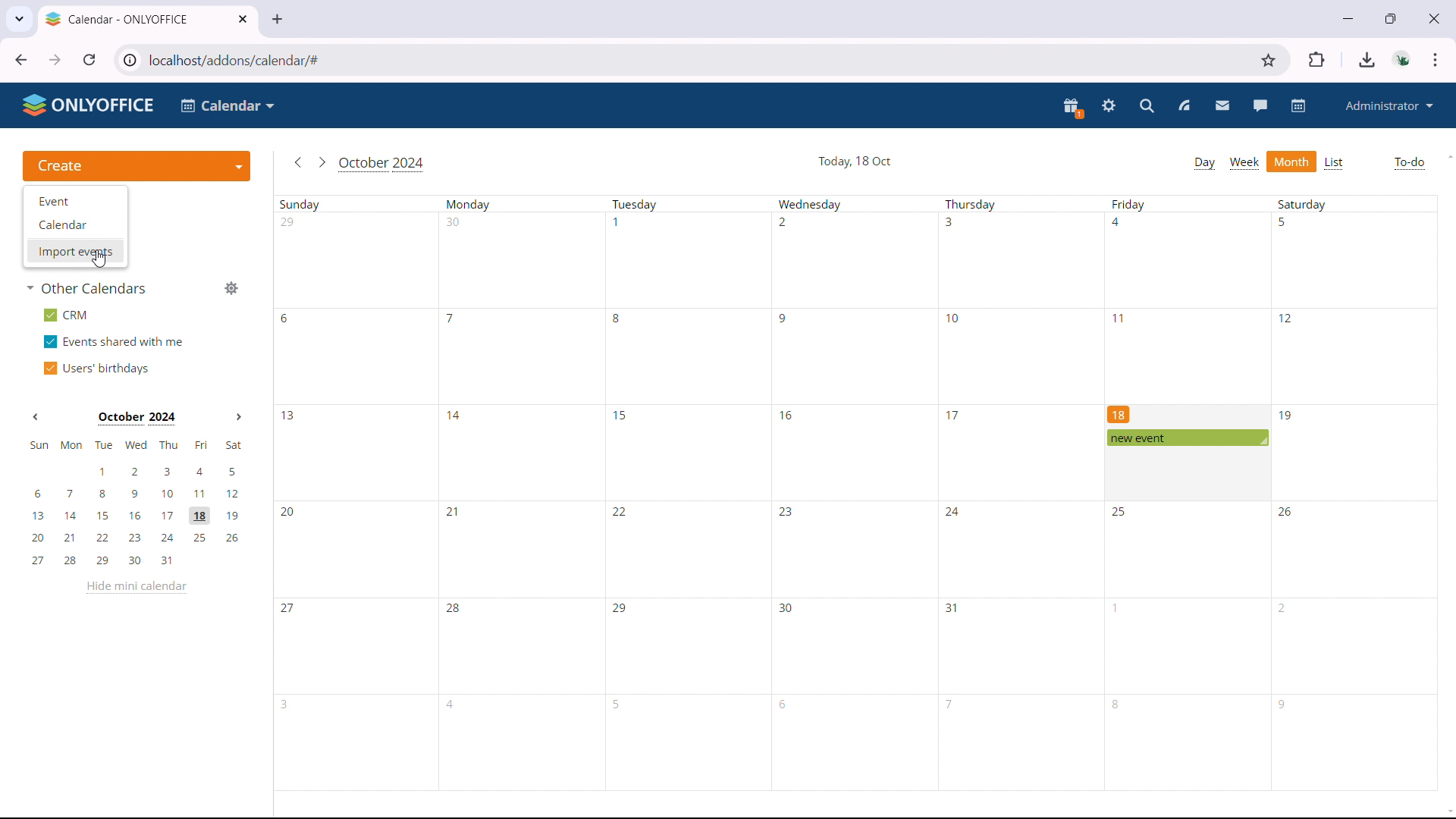 This screenshot has height=819, width=1456. What do you see at coordinates (1287, 416) in the screenshot?
I see `19` at bounding box center [1287, 416].